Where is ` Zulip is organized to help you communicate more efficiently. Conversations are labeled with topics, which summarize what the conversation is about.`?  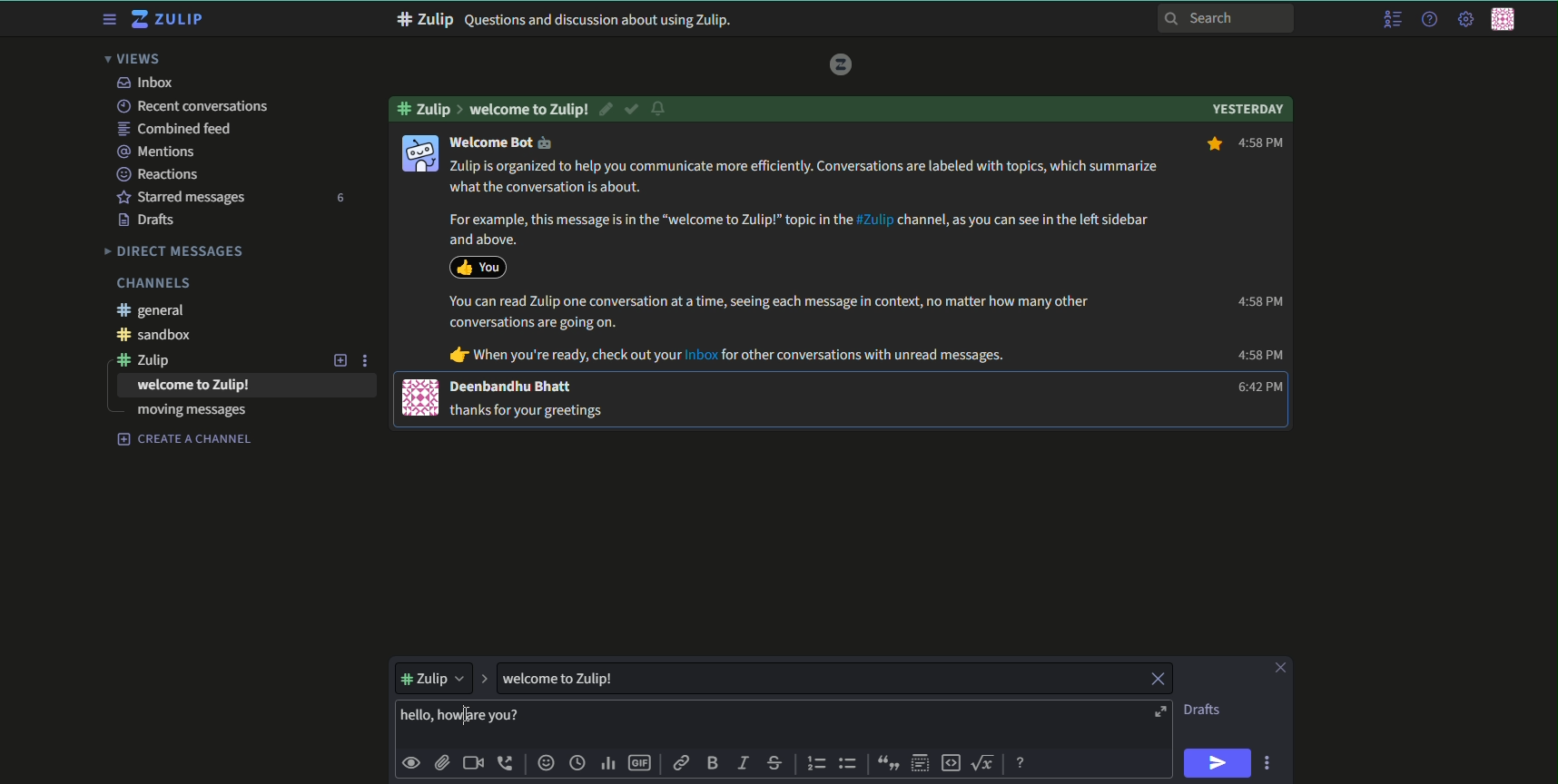
 Zulip is organized to help you communicate more efficiently. Conversations are labeled with topics, which summarize what the conversation is about. is located at coordinates (807, 177).